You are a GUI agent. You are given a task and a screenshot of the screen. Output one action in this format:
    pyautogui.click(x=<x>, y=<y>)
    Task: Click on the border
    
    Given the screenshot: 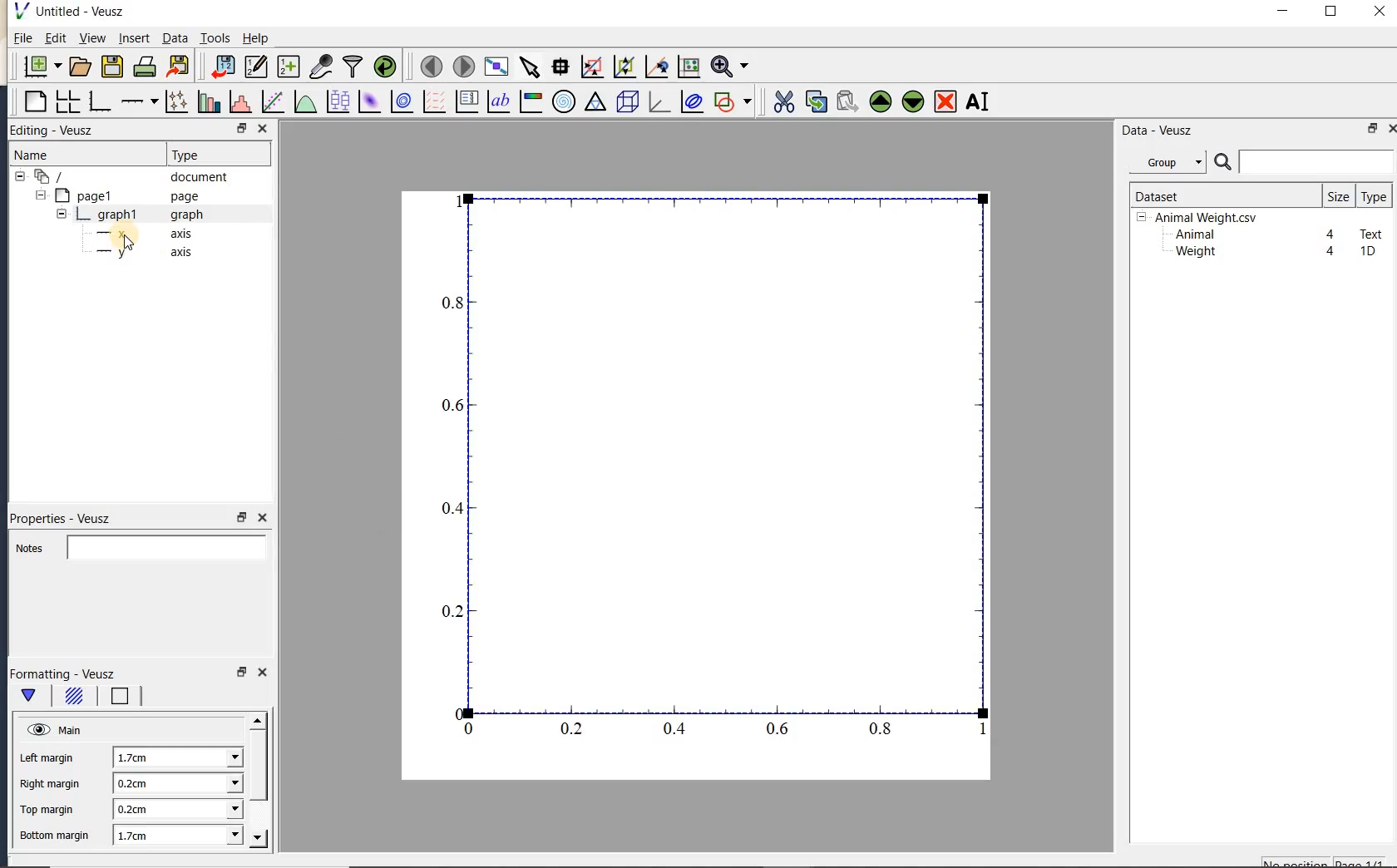 What is the action you would take?
    pyautogui.click(x=123, y=698)
    